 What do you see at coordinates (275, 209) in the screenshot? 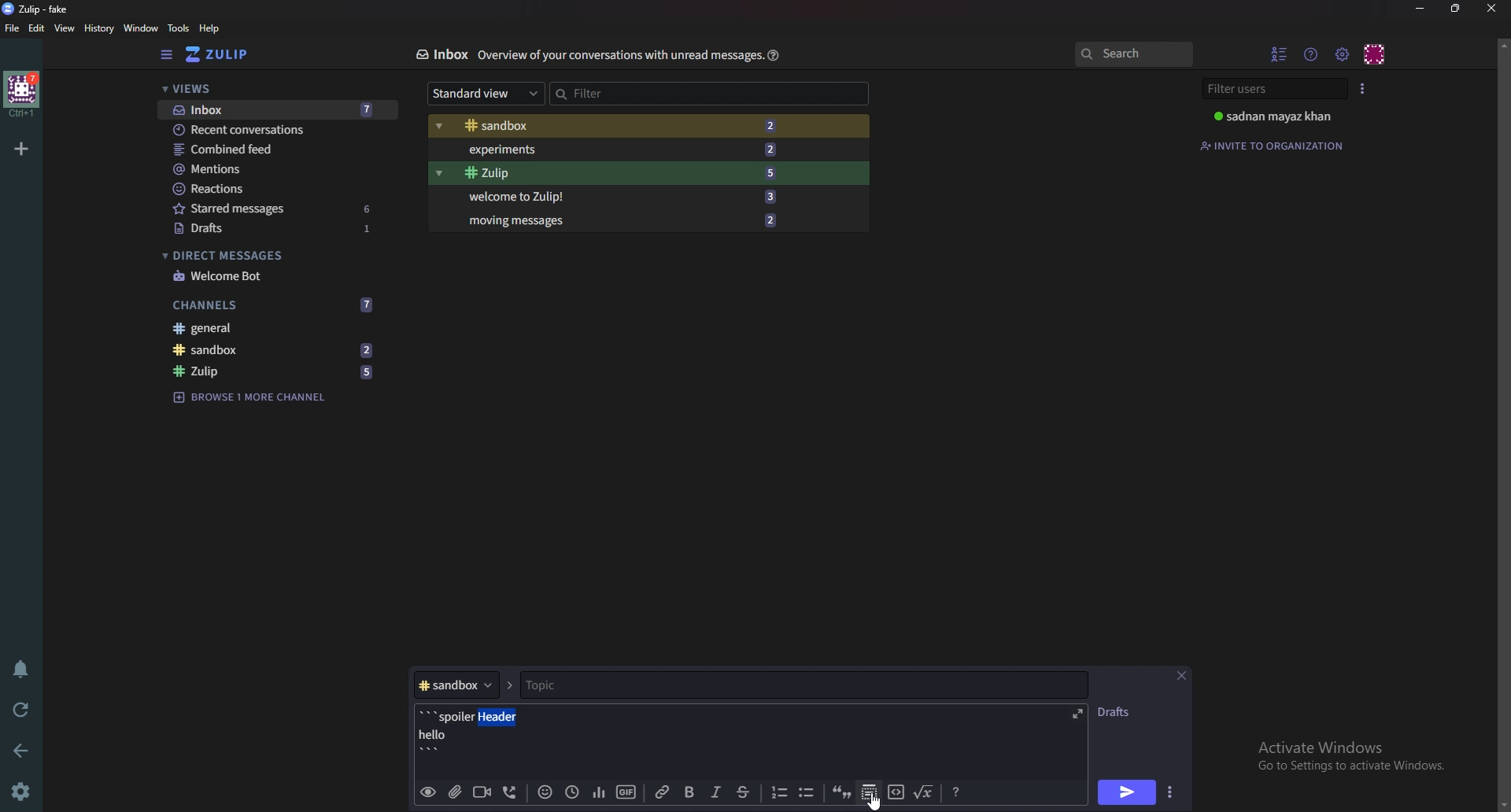
I see `starred messages 6` at bounding box center [275, 209].